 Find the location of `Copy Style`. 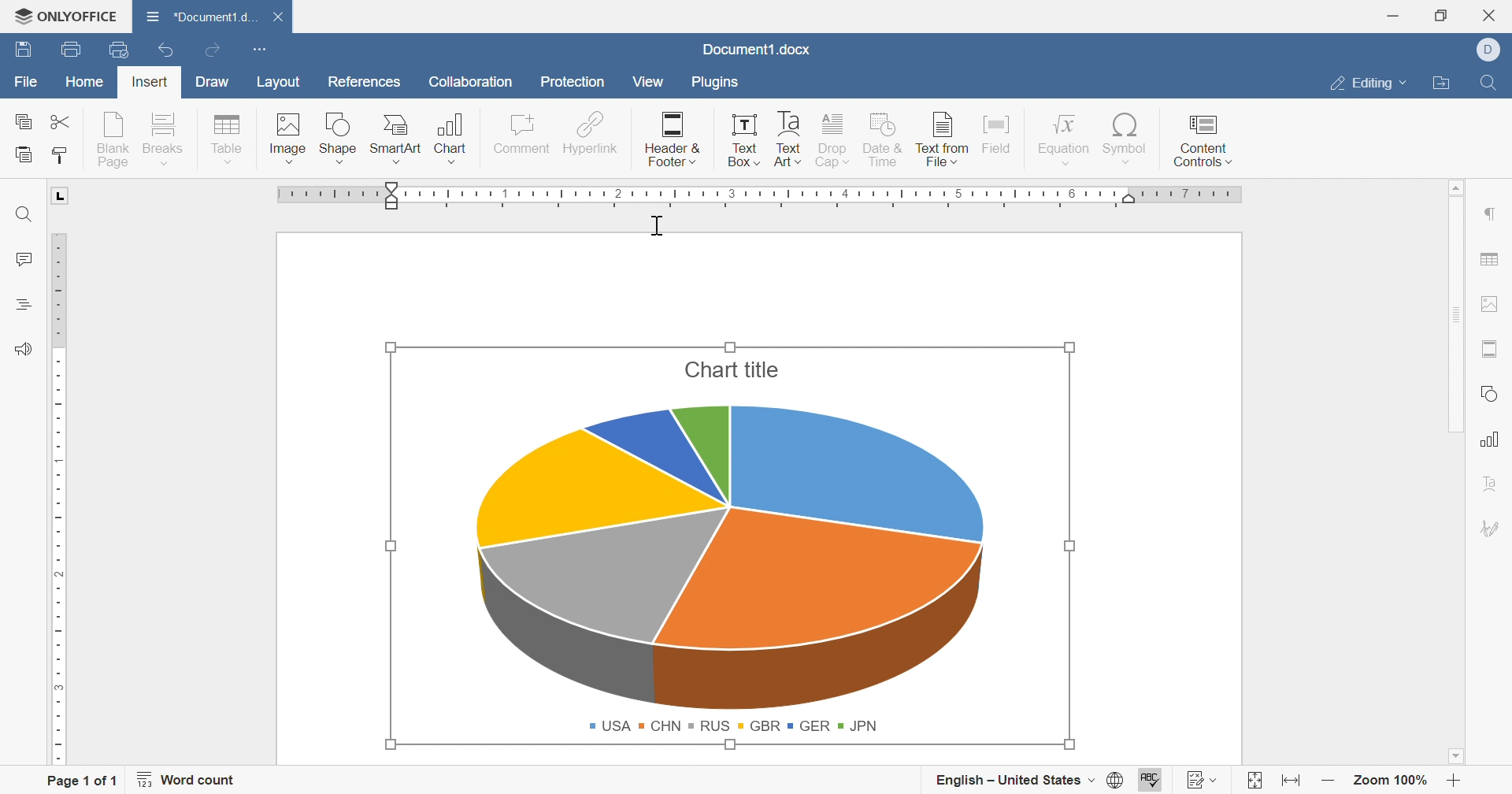

Copy Style is located at coordinates (61, 159).